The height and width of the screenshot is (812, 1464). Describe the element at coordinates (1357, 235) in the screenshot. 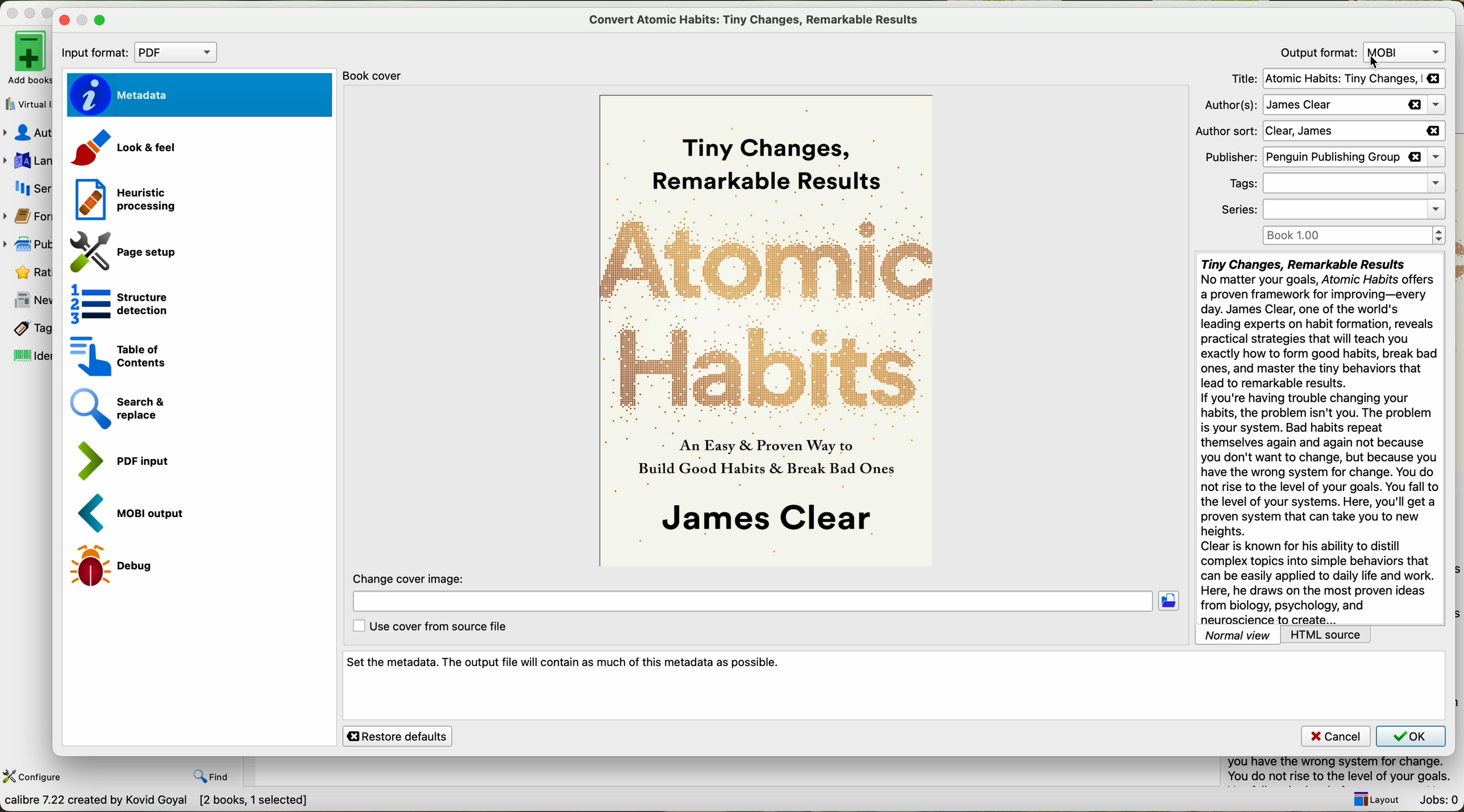

I see `book 1.00` at that location.